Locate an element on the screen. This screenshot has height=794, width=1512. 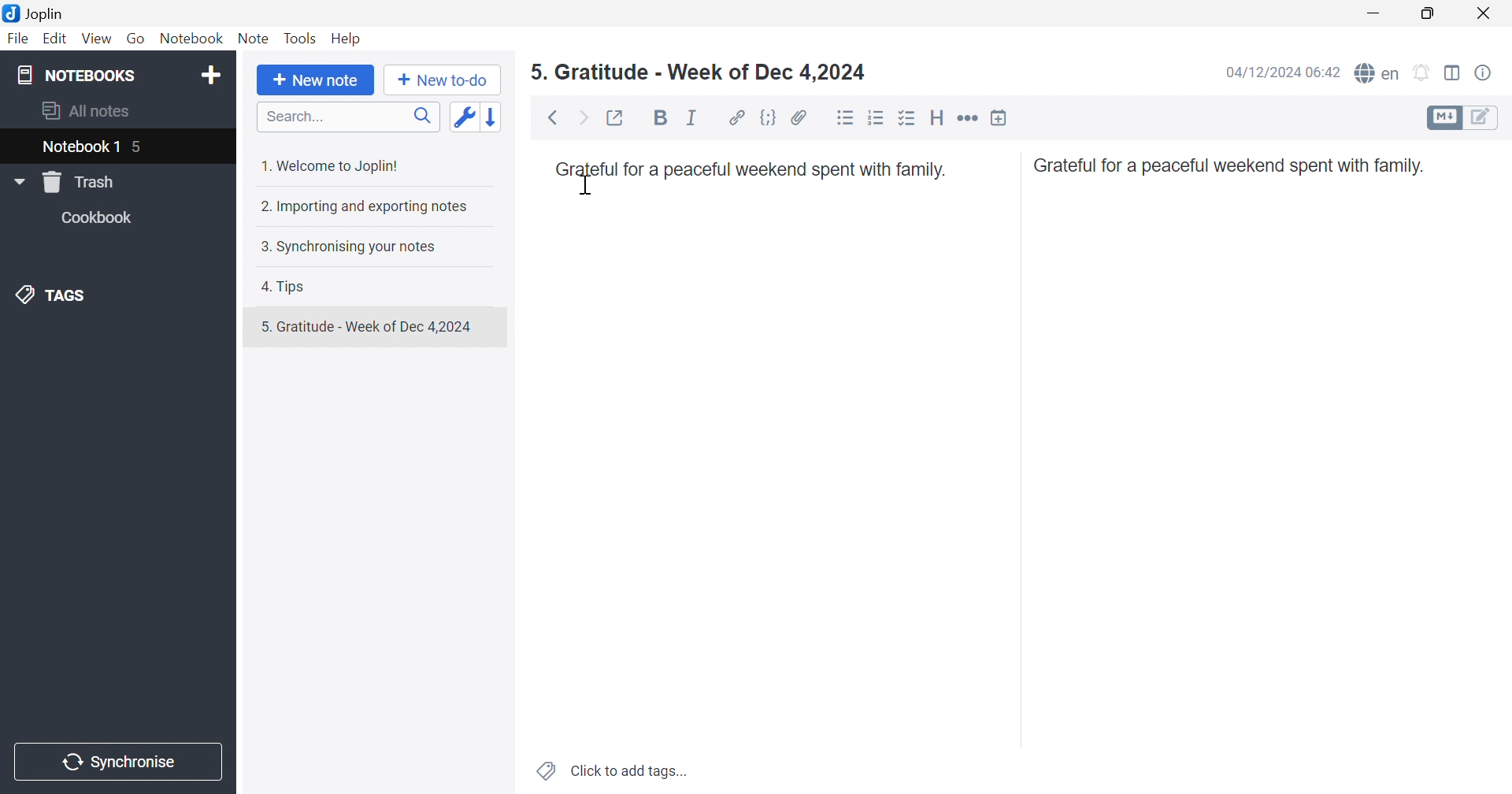
Numbered list is located at coordinates (877, 117).